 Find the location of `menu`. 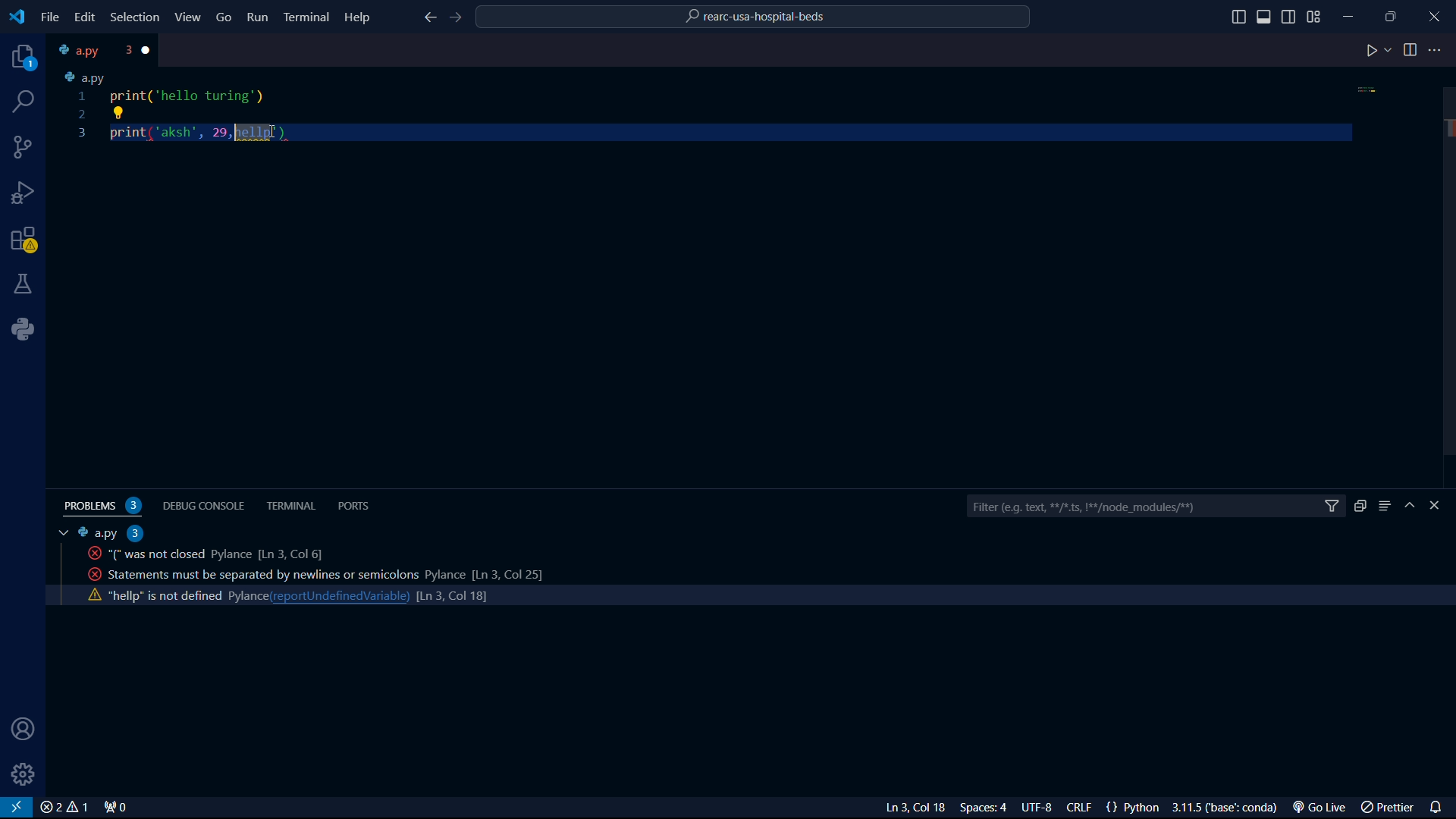

menu is located at coordinates (1385, 506).